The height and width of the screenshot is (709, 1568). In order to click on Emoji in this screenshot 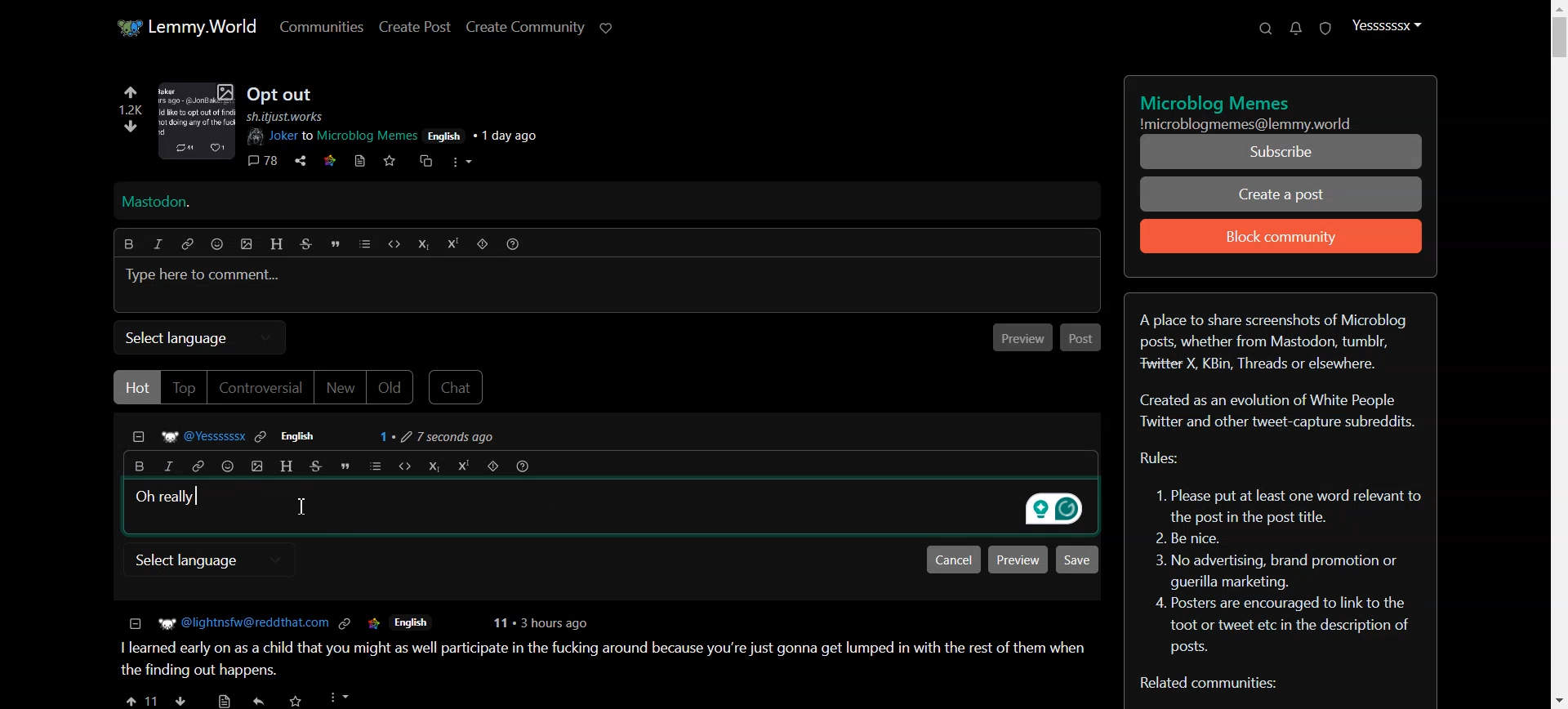, I will do `click(225, 466)`.